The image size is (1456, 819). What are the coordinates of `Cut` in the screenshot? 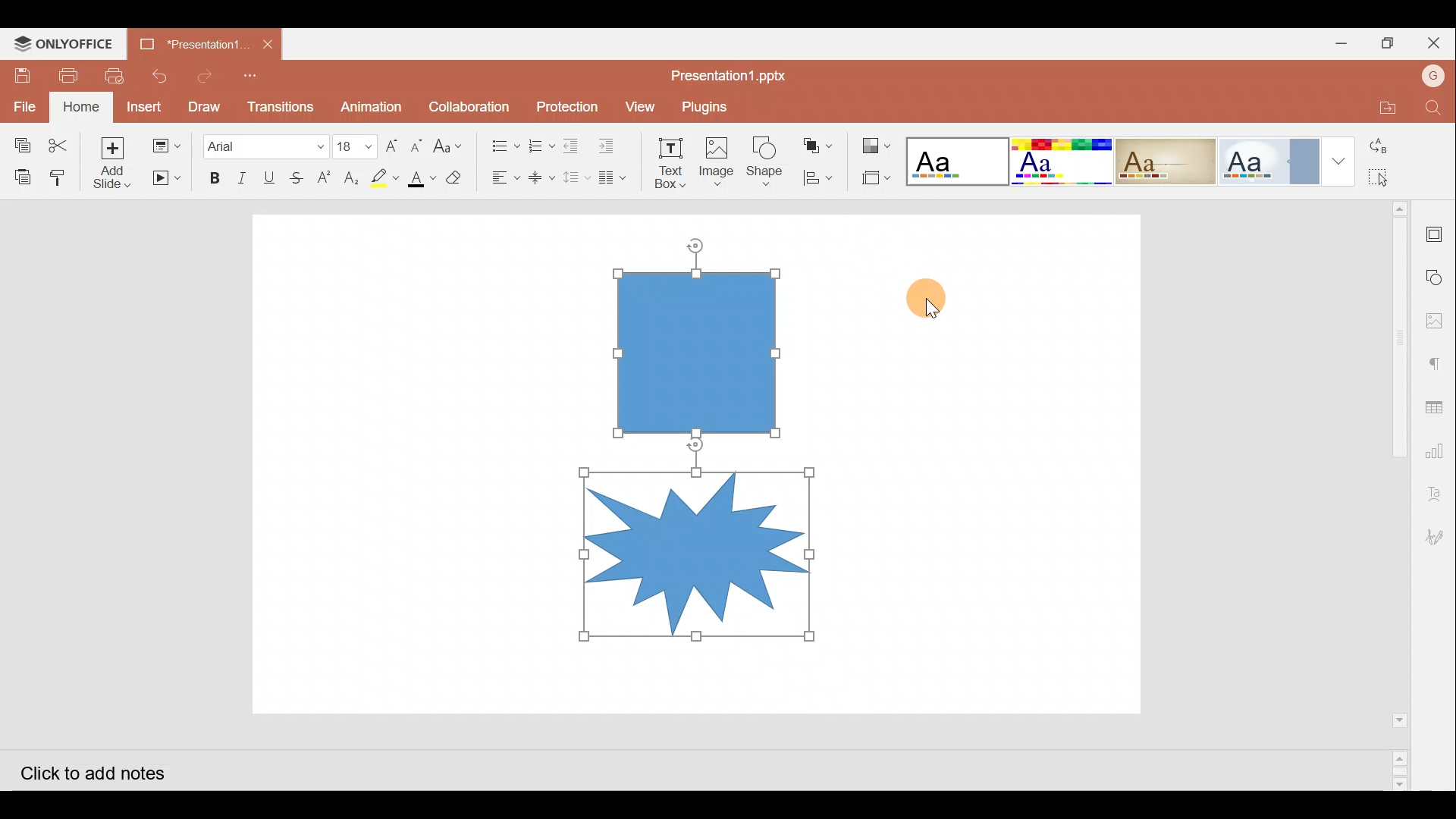 It's located at (58, 140).